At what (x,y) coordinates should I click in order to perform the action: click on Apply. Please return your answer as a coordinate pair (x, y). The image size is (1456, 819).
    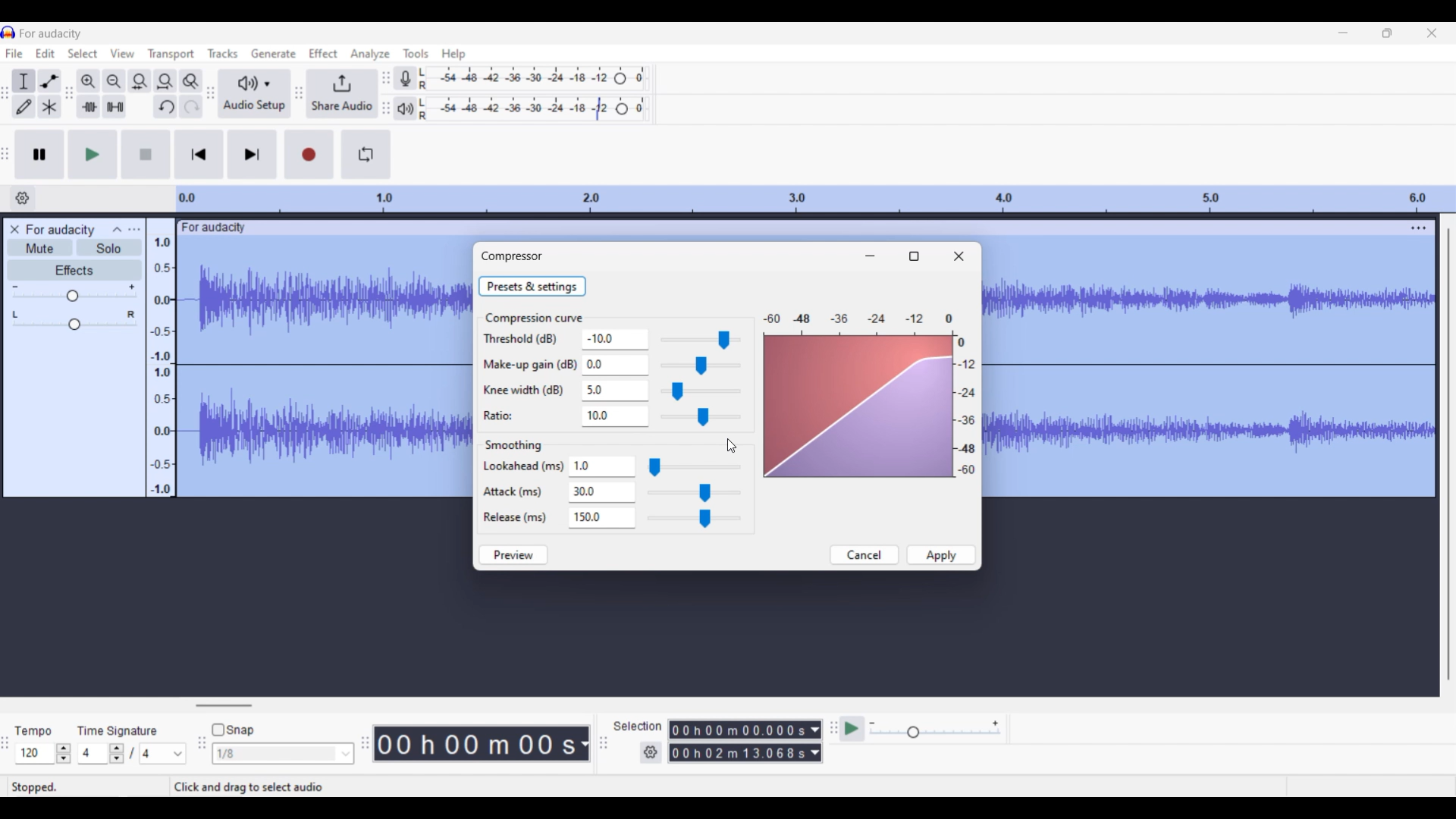
    Looking at the image, I should click on (941, 554).